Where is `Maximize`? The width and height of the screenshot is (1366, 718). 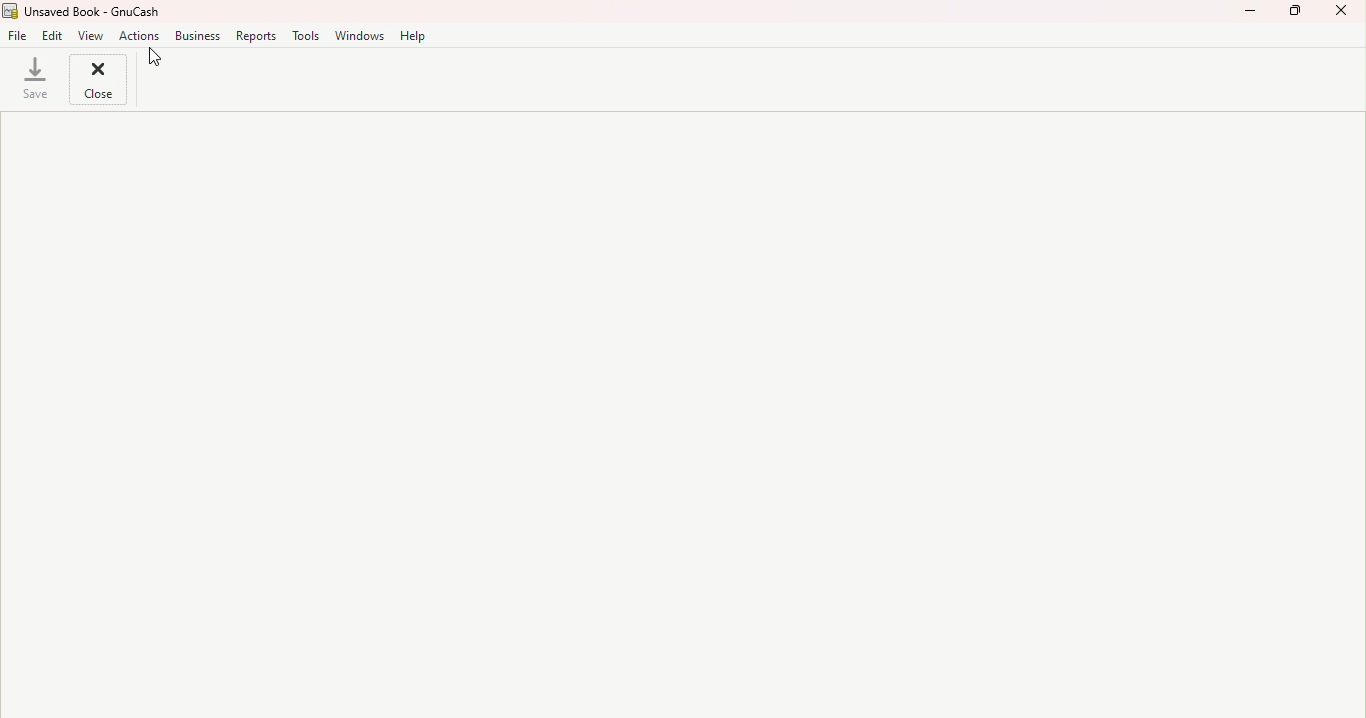 Maximize is located at coordinates (1299, 14).